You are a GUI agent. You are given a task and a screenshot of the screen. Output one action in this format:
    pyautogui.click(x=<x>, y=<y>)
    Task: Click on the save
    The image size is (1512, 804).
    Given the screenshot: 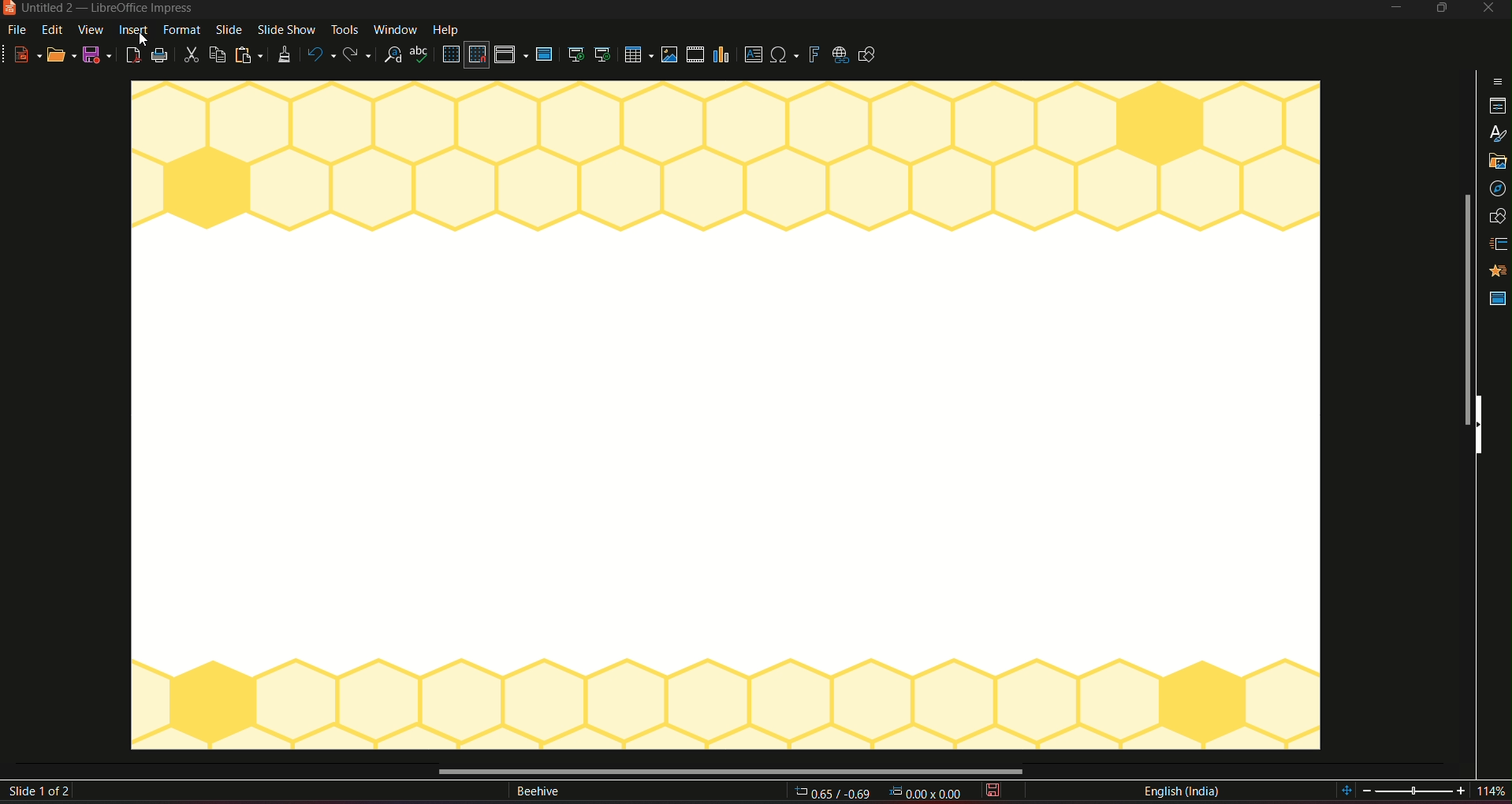 What is the action you would take?
    pyautogui.click(x=97, y=54)
    